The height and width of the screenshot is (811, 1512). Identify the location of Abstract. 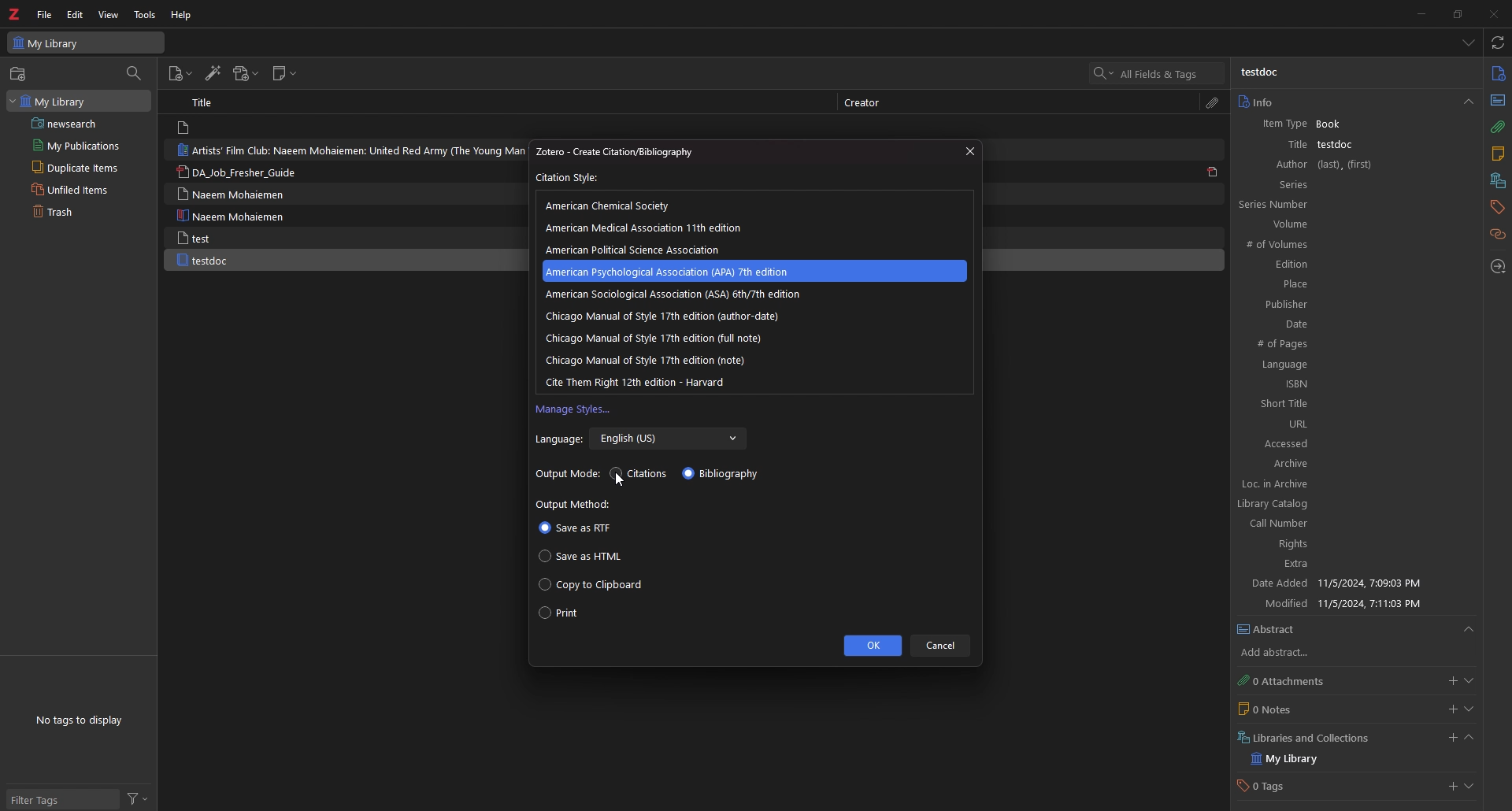
(1356, 630).